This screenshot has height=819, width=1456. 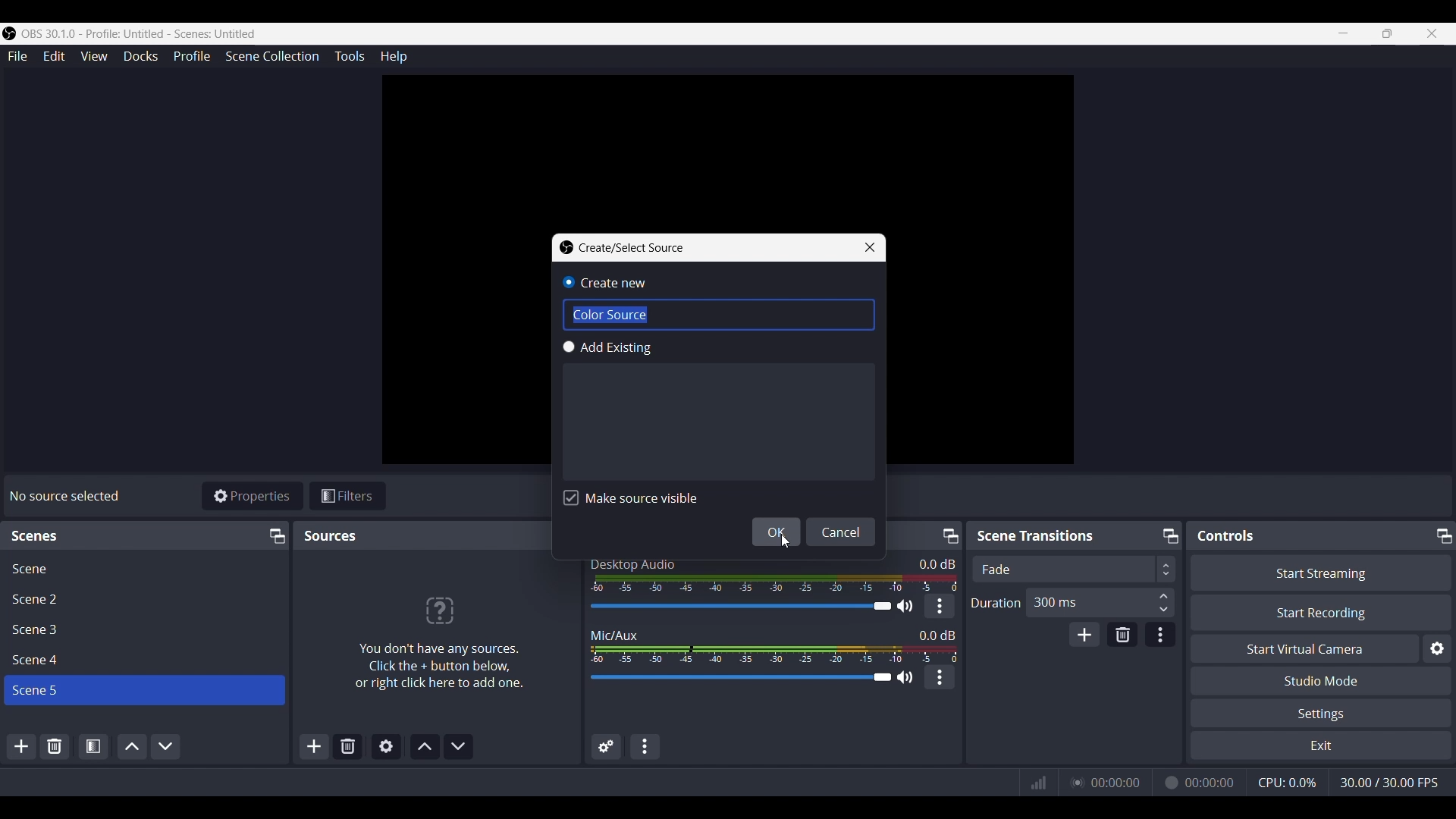 What do you see at coordinates (604, 746) in the screenshot?
I see `Advance audio properties` at bounding box center [604, 746].